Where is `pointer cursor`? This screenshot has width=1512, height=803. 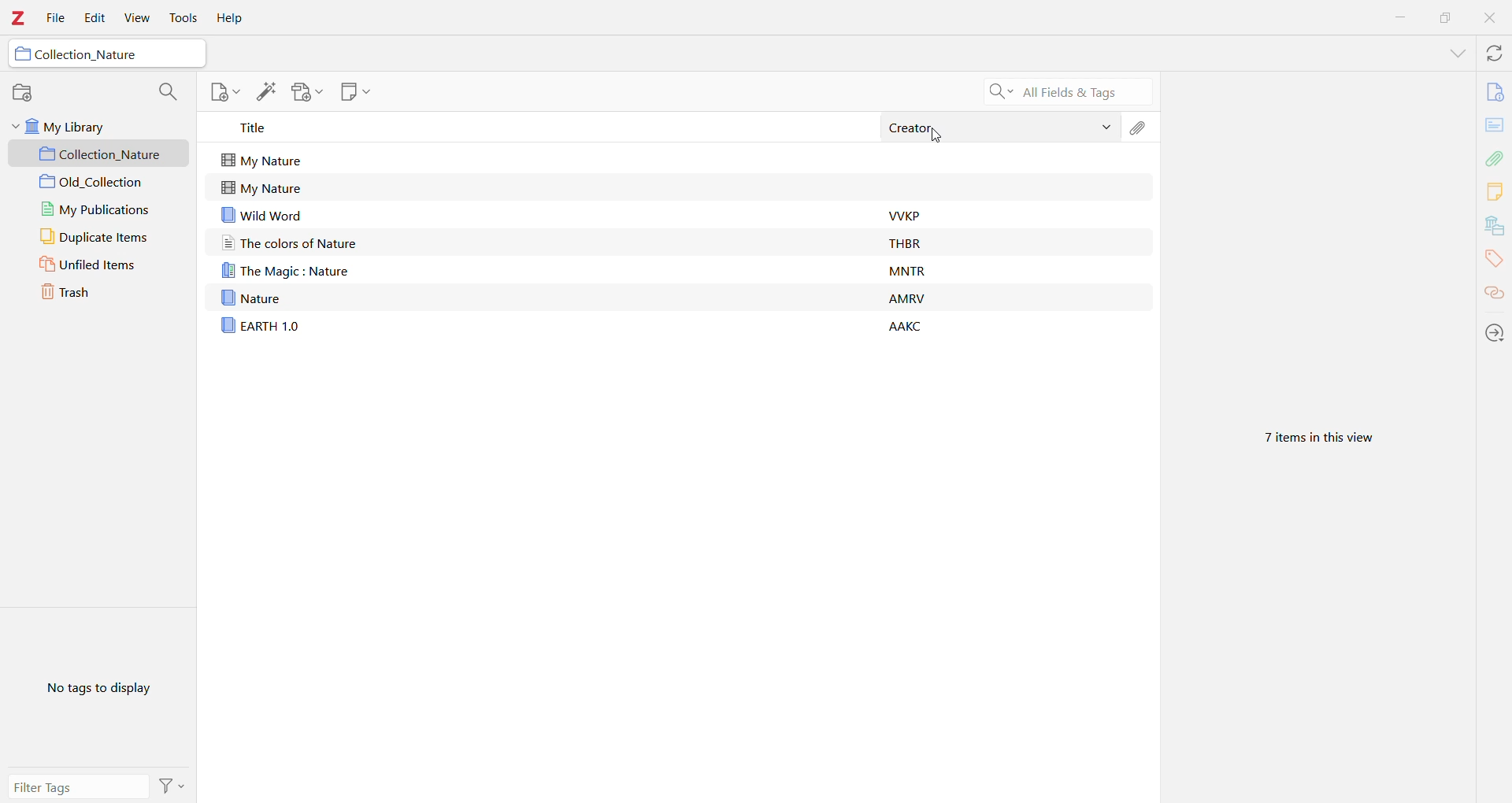 pointer cursor is located at coordinates (943, 141).